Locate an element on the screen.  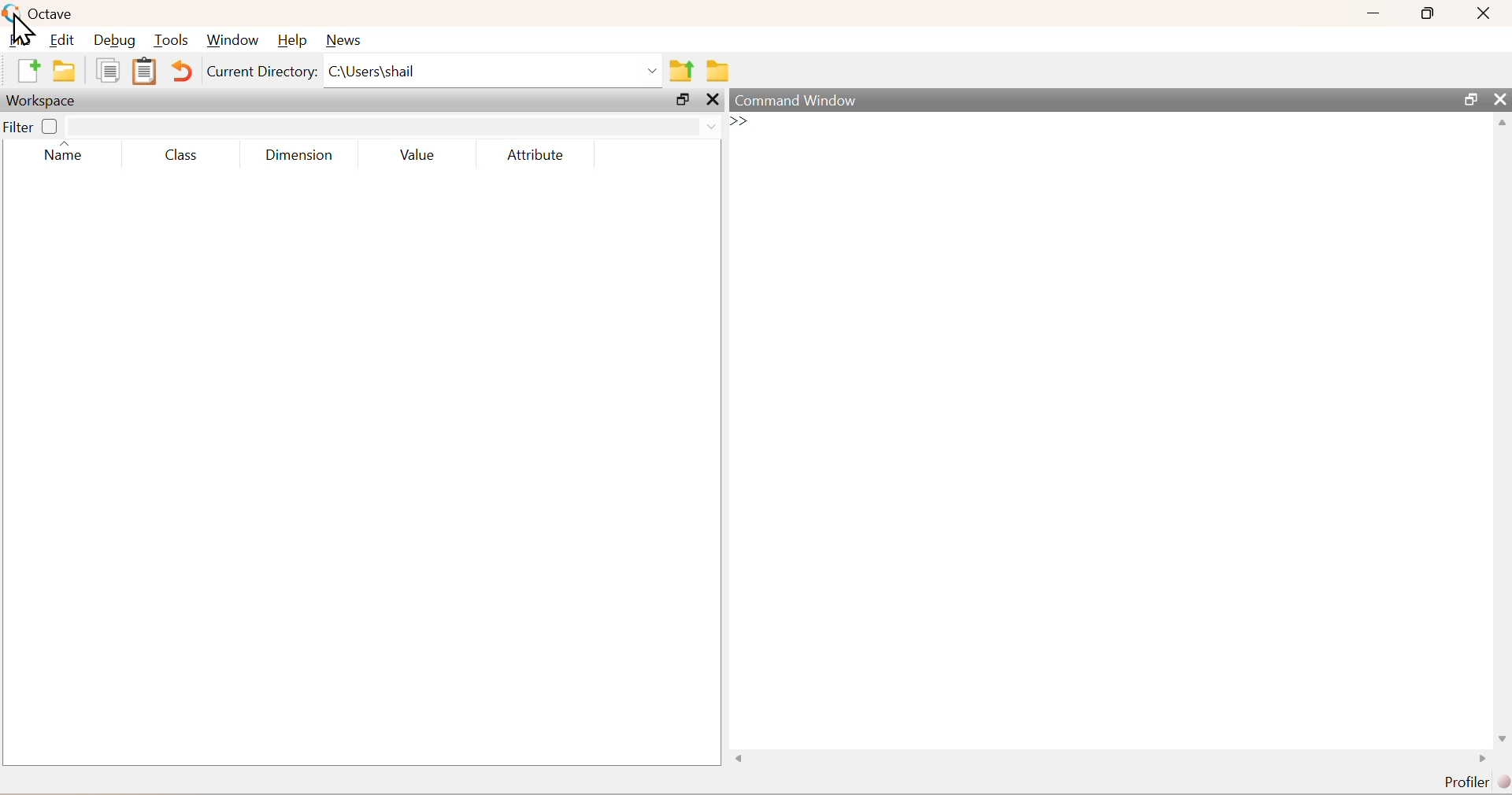
Attribute is located at coordinates (536, 154).